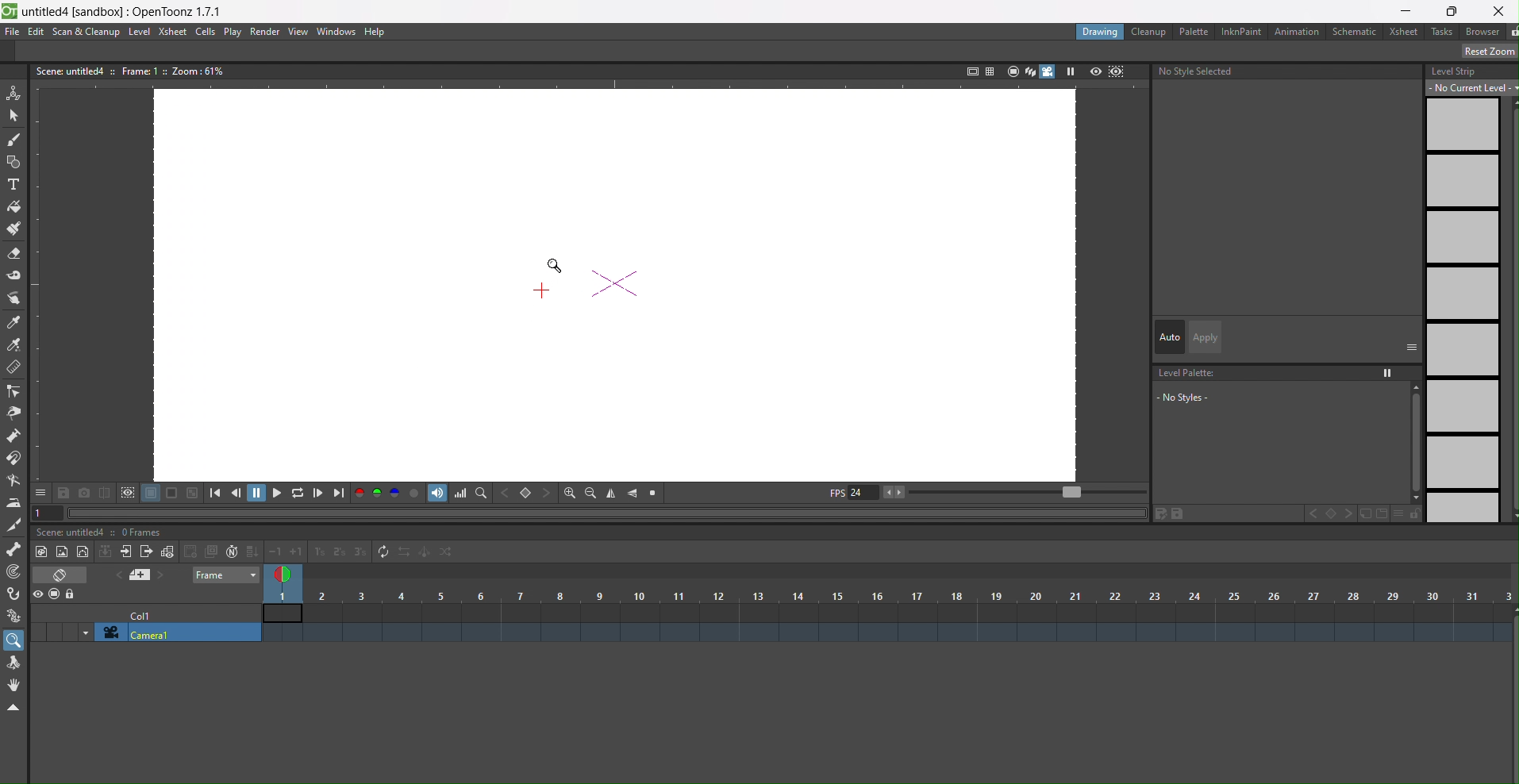 Image resolution: width=1519 pixels, height=784 pixels. I want to click on frame, so click(223, 575).